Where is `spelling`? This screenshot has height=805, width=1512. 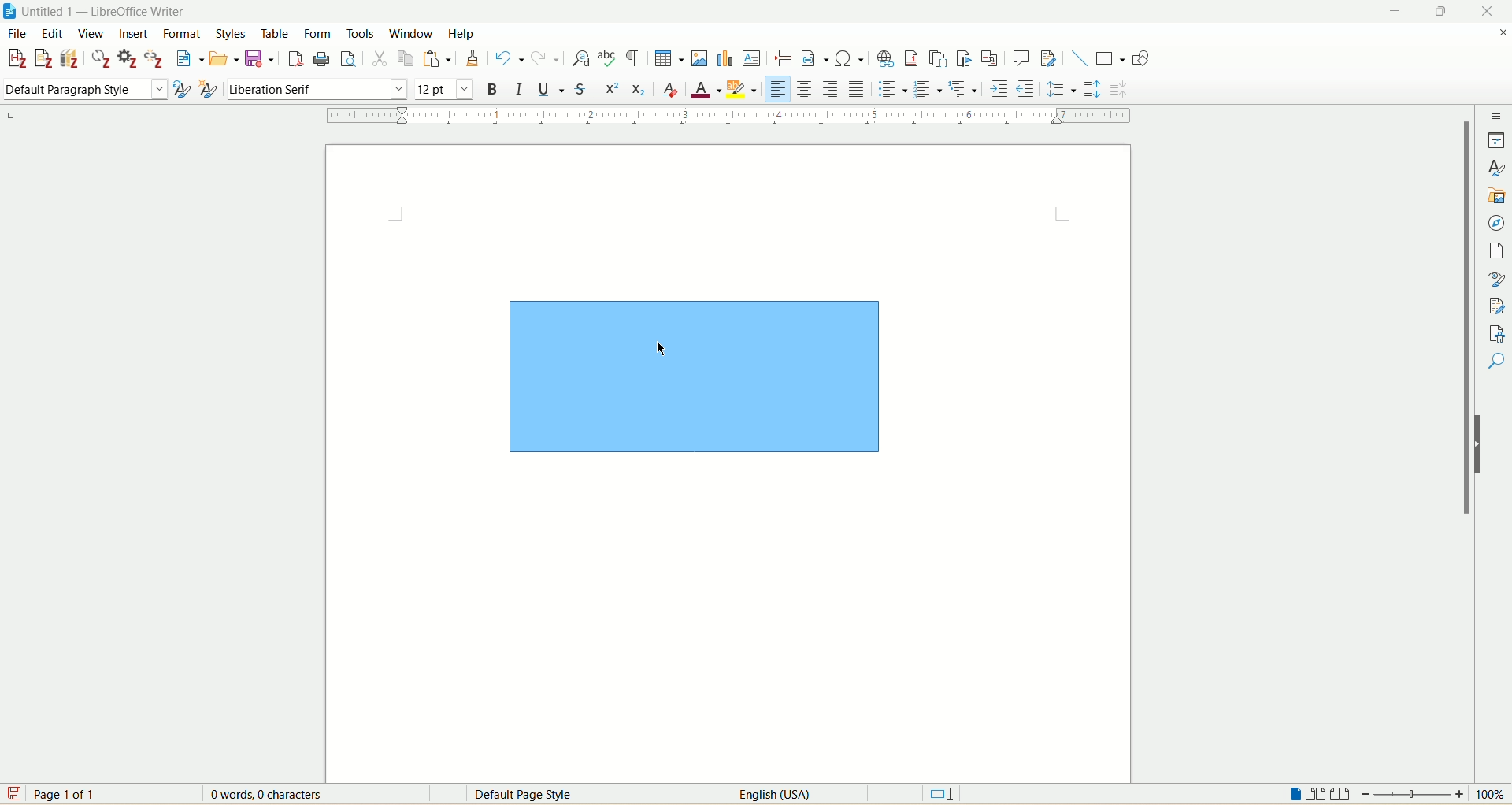 spelling is located at coordinates (608, 60).